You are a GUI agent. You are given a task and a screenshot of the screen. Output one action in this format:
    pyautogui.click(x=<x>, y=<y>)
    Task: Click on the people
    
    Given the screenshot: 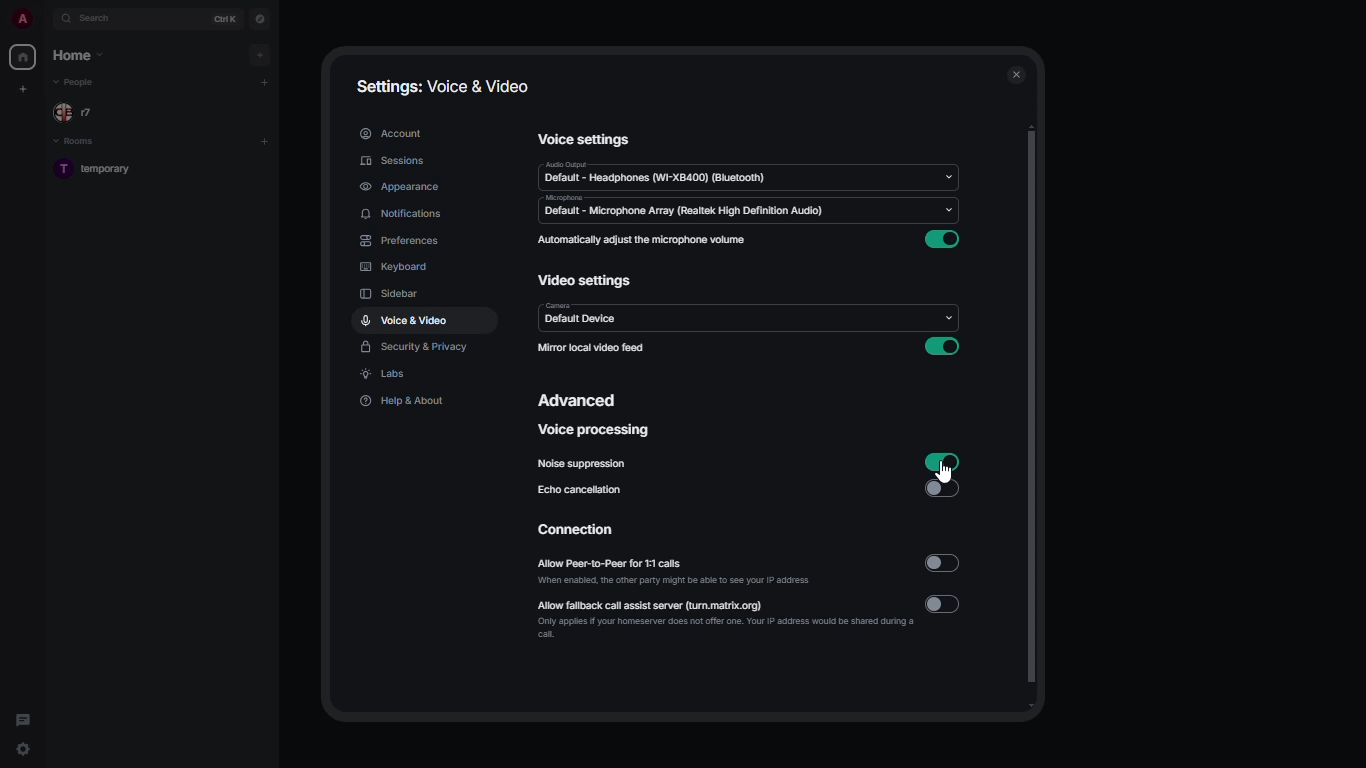 What is the action you would take?
    pyautogui.click(x=68, y=112)
    